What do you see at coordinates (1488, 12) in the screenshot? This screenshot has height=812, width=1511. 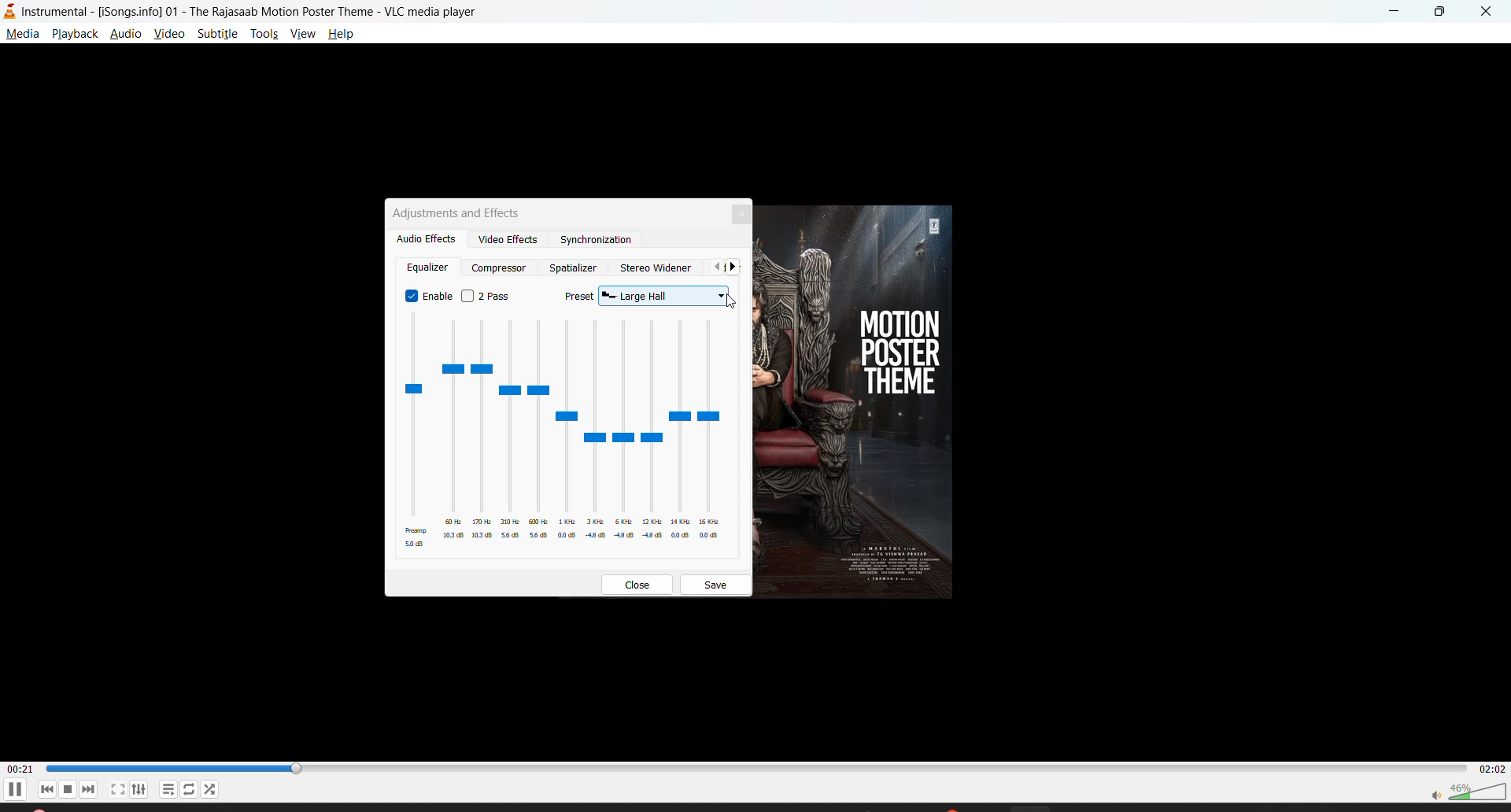 I see `close` at bounding box center [1488, 12].